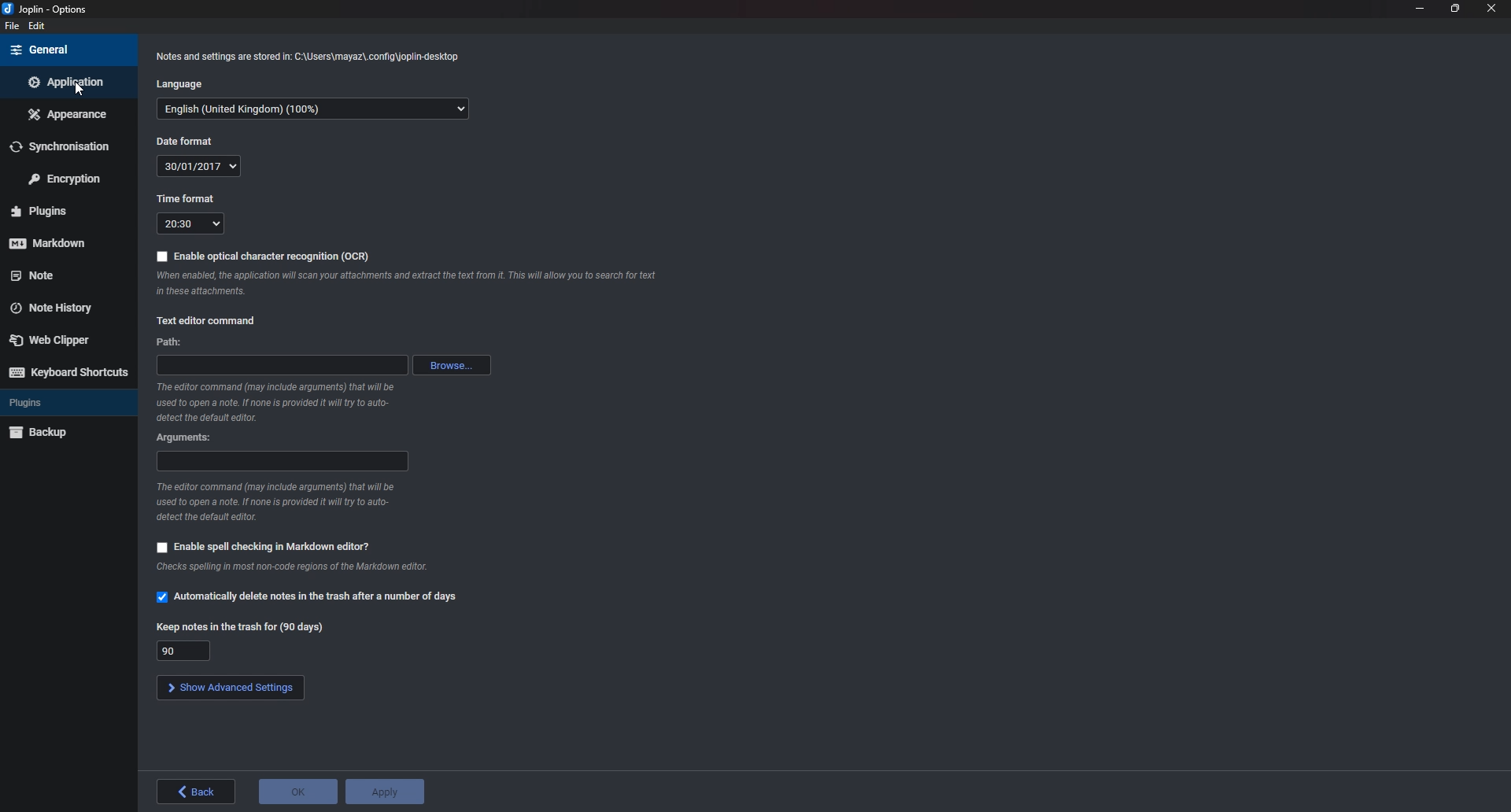  I want to click on Language, so click(180, 85).